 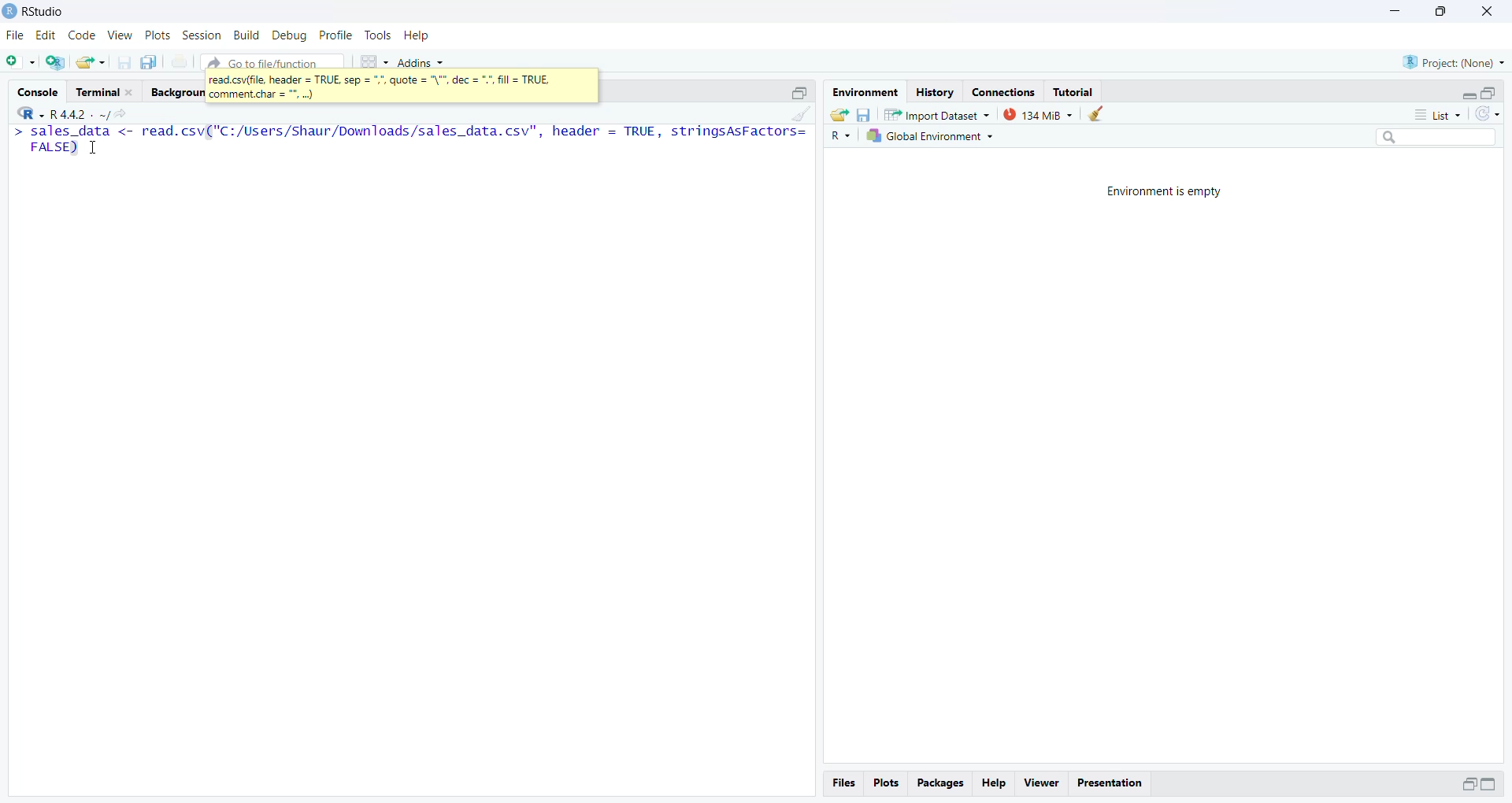 What do you see at coordinates (1455, 64) in the screenshot?
I see `Project (Name)` at bounding box center [1455, 64].